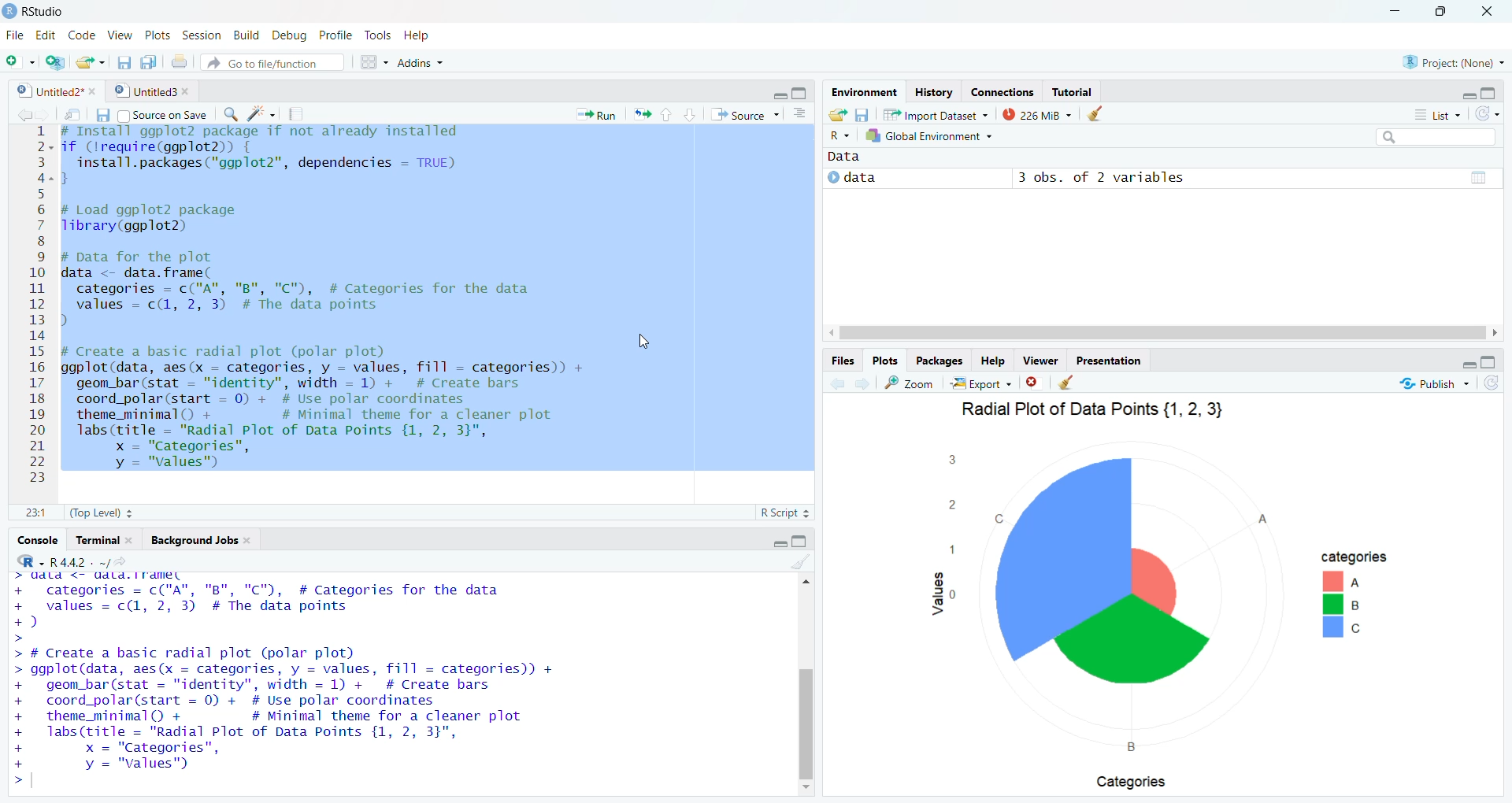  What do you see at coordinates (776, 543) in the screenshot?
I see `Minimize` at bounding box center [776, 543].